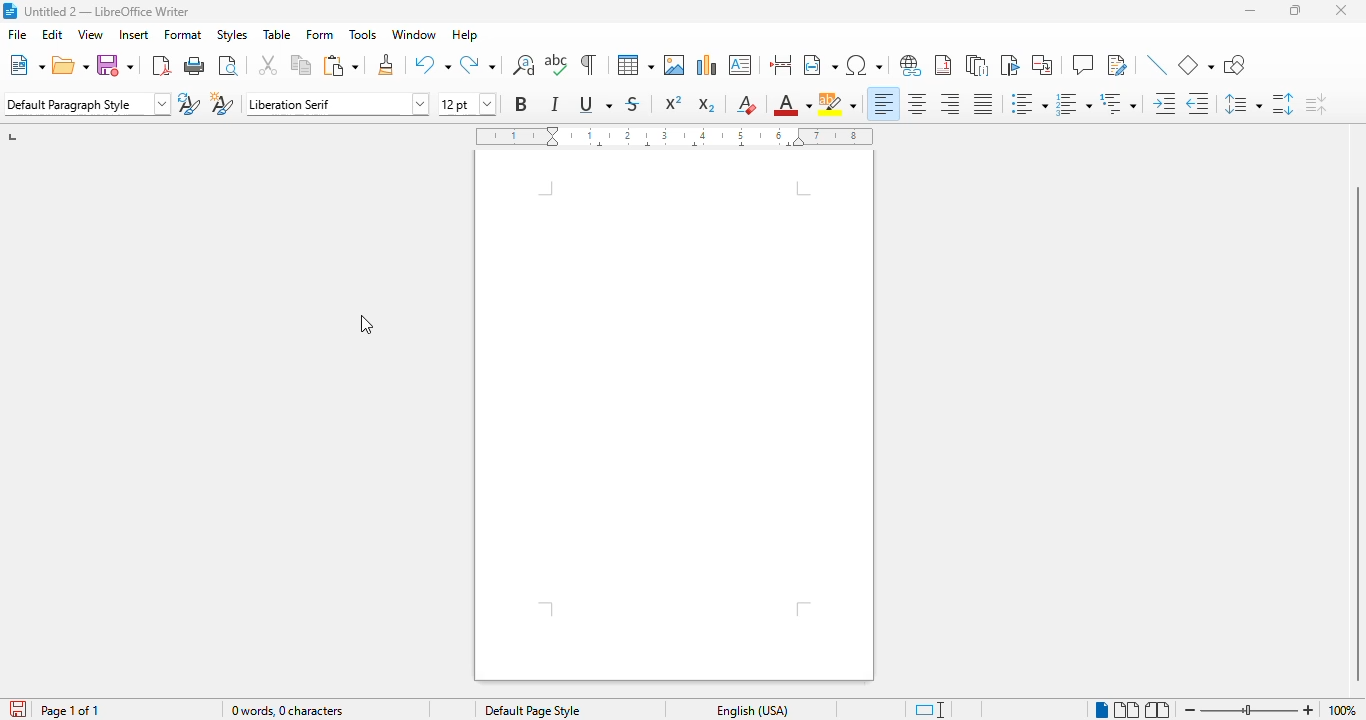 The height and width of the screenshot is (720, 1366). I want to click on insert text box, so click(741, 65).